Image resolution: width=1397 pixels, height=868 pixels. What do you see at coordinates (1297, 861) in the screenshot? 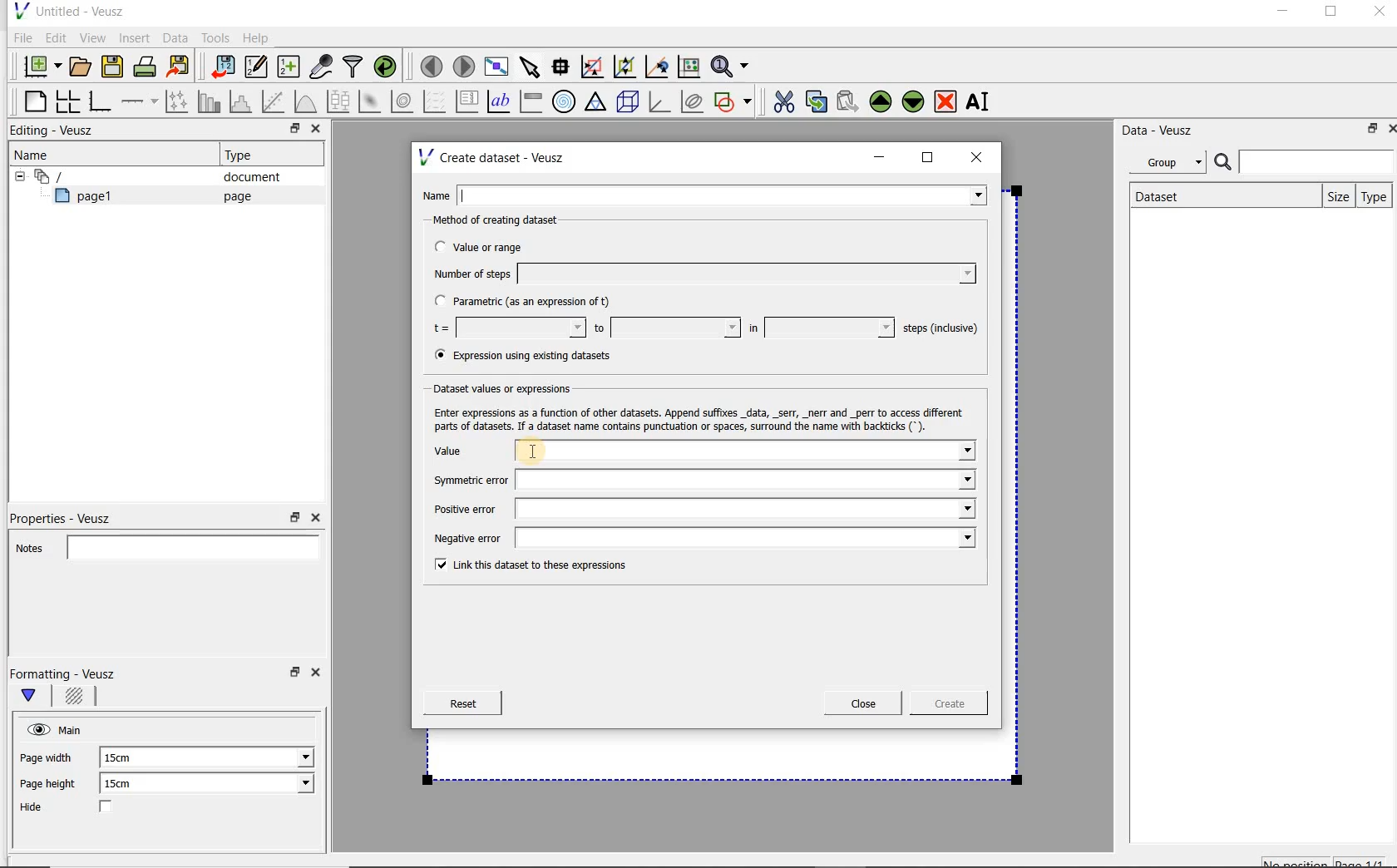
I see `No position` at bounding box center [1297, 861].